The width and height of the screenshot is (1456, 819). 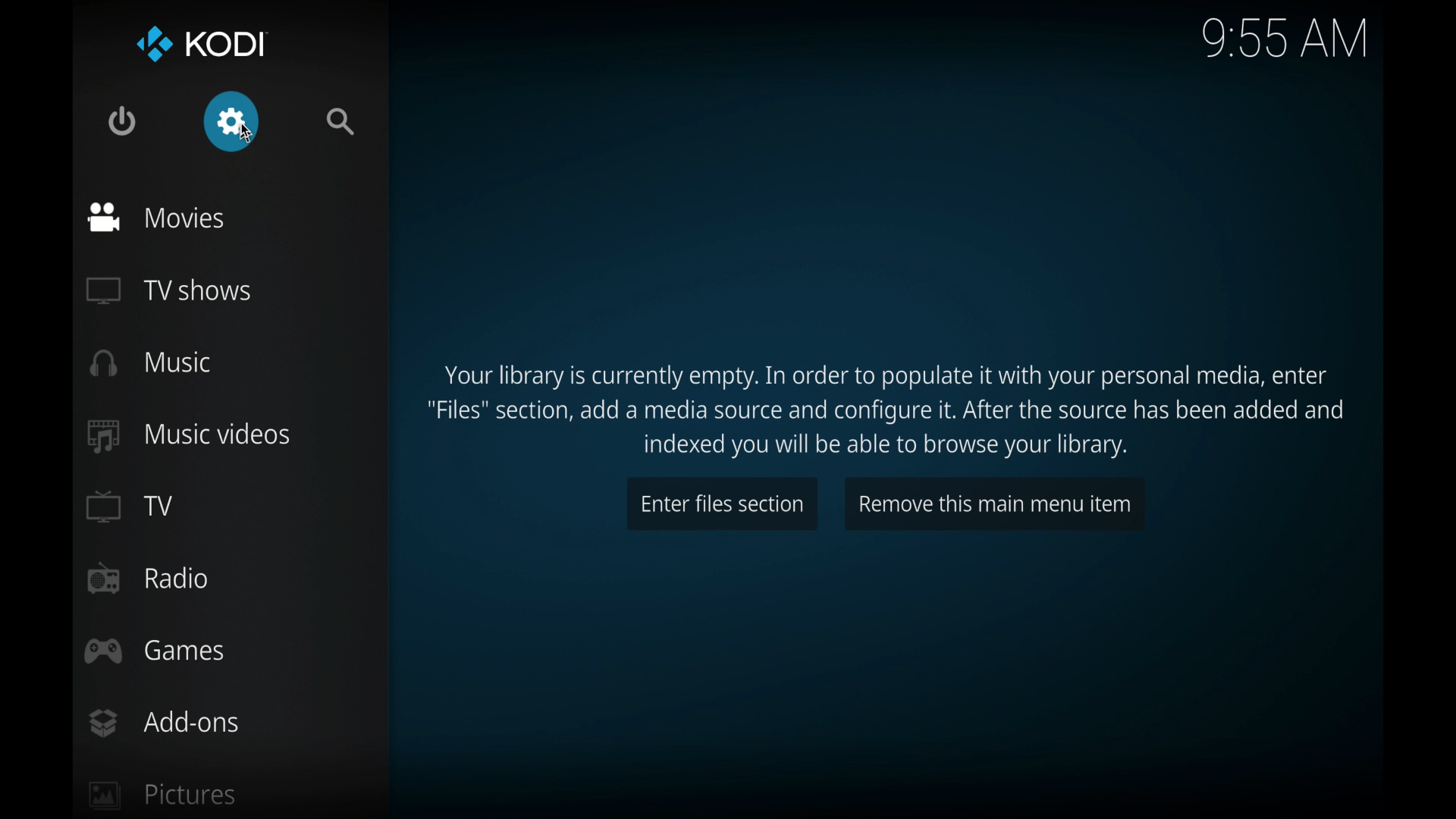 I want to click on search, so click(x=344, y=121).